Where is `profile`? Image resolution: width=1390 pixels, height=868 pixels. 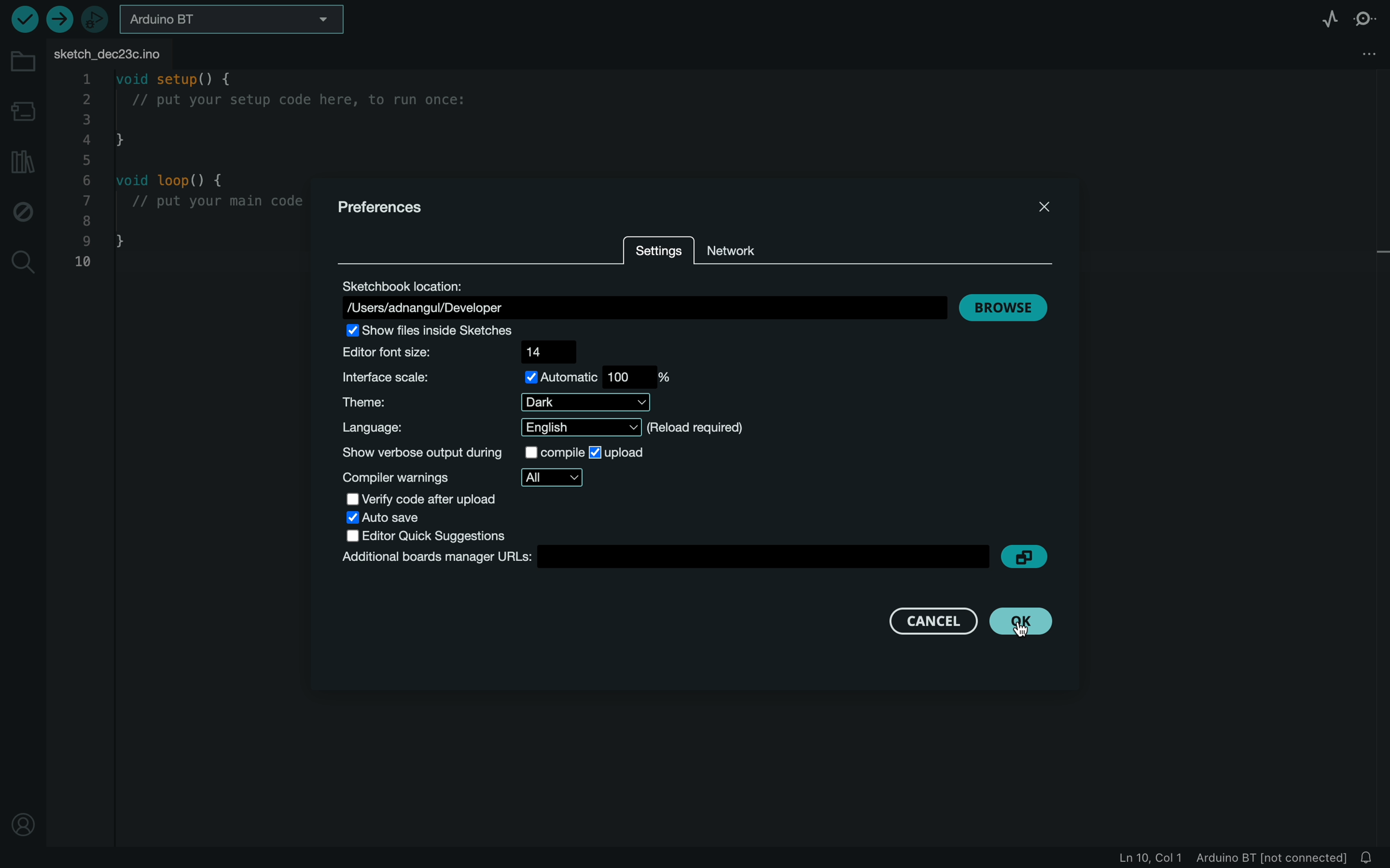 profile is located at coordinates (24, 820).